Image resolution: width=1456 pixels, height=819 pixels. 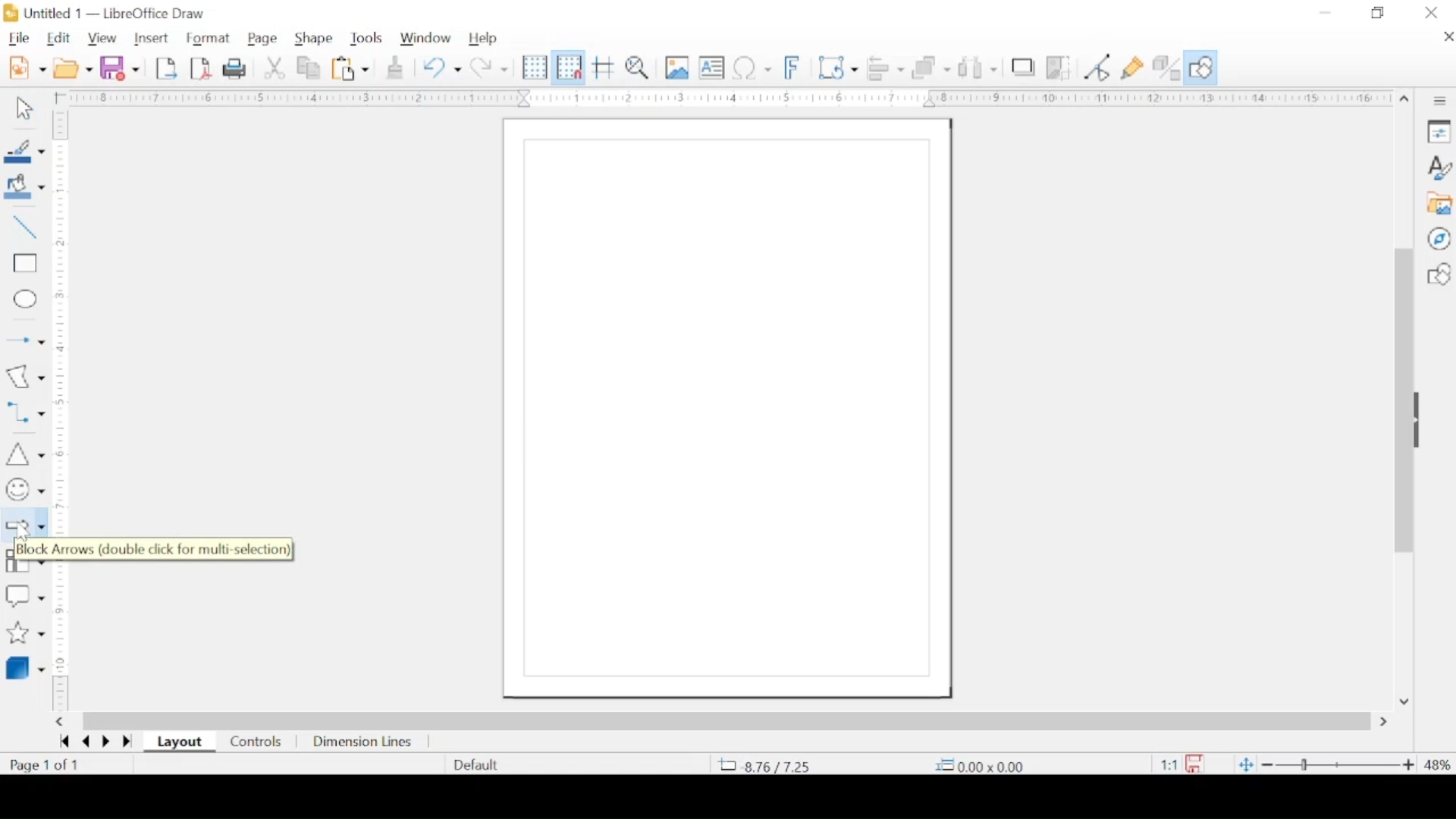 I want to click on insert arrow, so click(x=24, y=340).